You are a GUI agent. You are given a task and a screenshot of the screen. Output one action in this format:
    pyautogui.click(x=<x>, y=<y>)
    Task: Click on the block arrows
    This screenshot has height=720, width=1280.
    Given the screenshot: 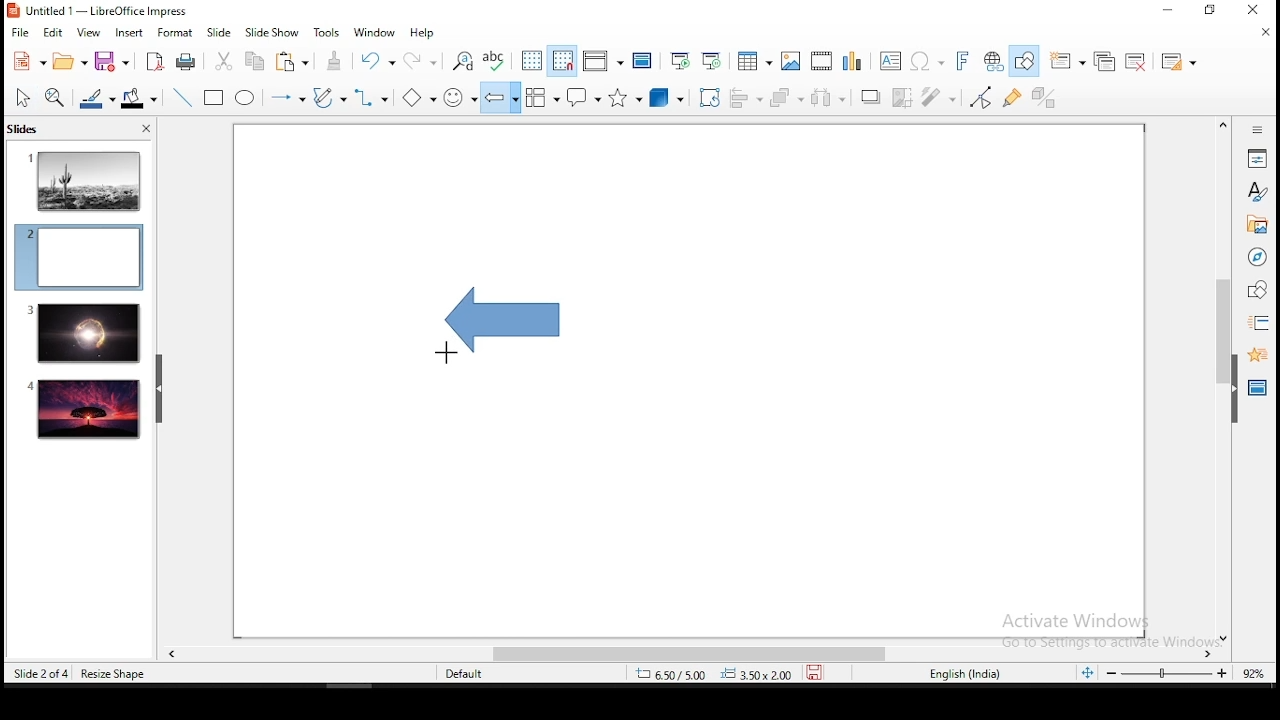 What is the action you would take?
    pyautogui.click(x=500, y=98)
    